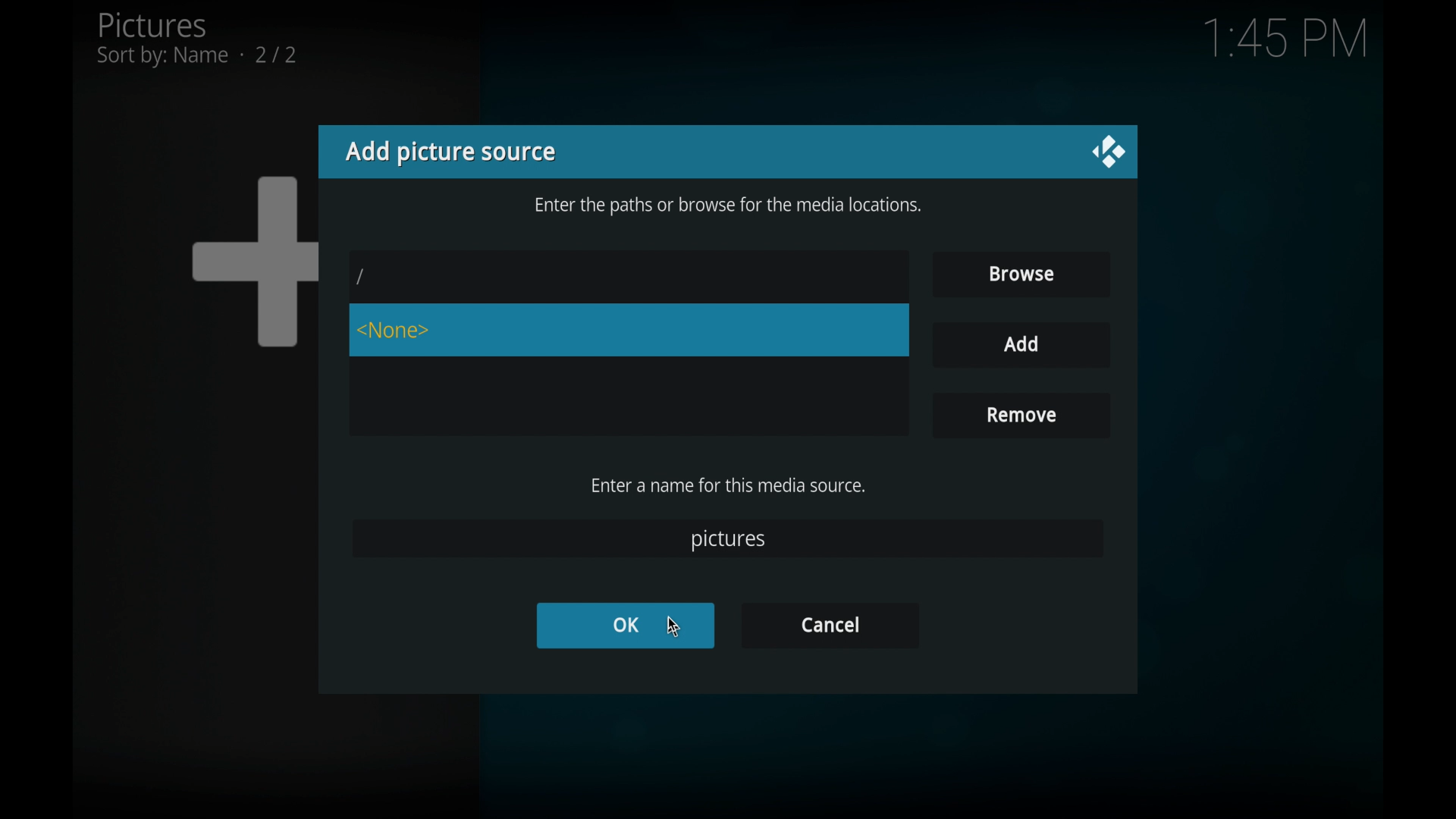  I want to click on slash icon, so click(362, 278).